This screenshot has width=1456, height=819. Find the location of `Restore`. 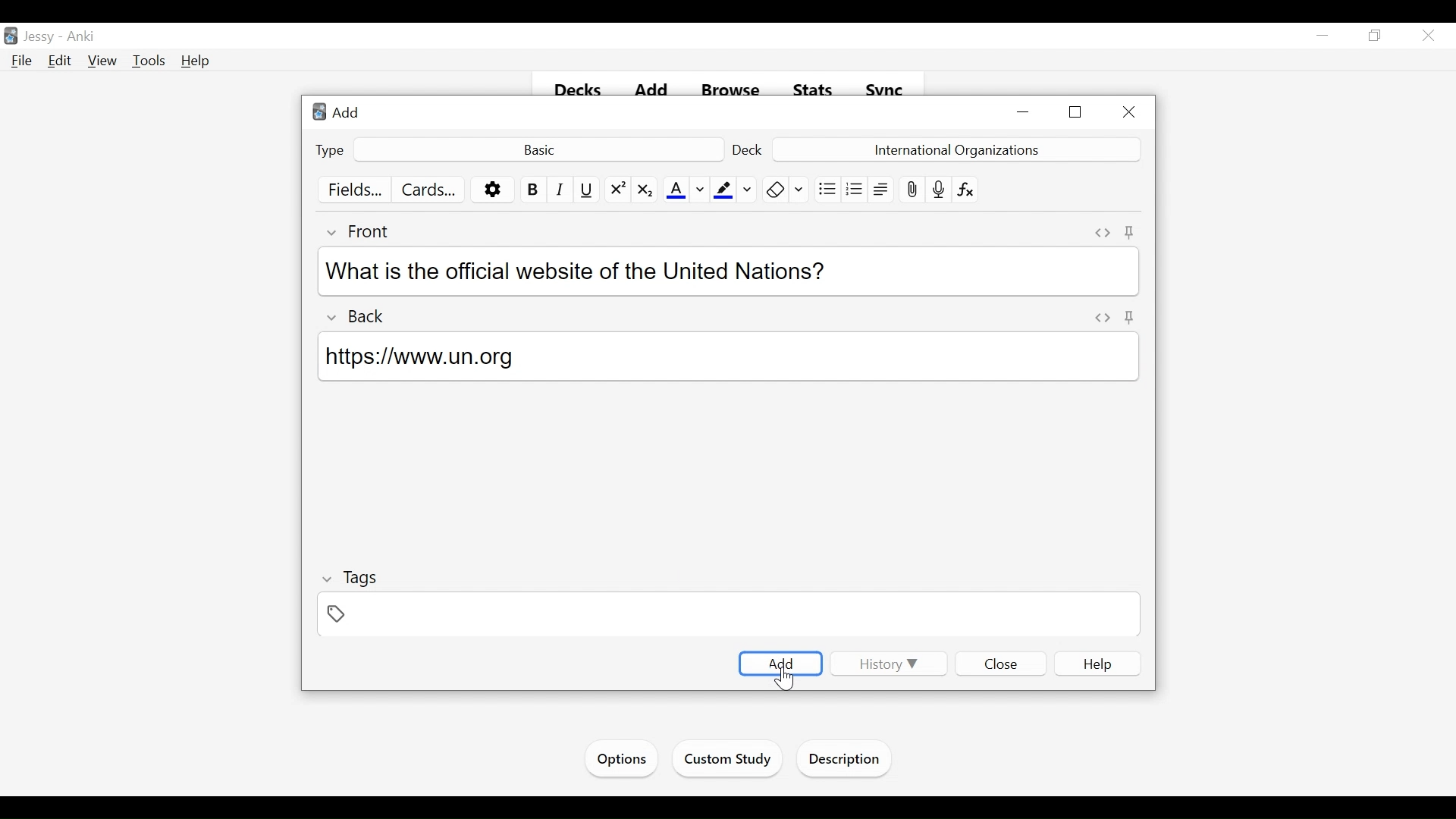

Restore is located at coordinates (1377, 35).